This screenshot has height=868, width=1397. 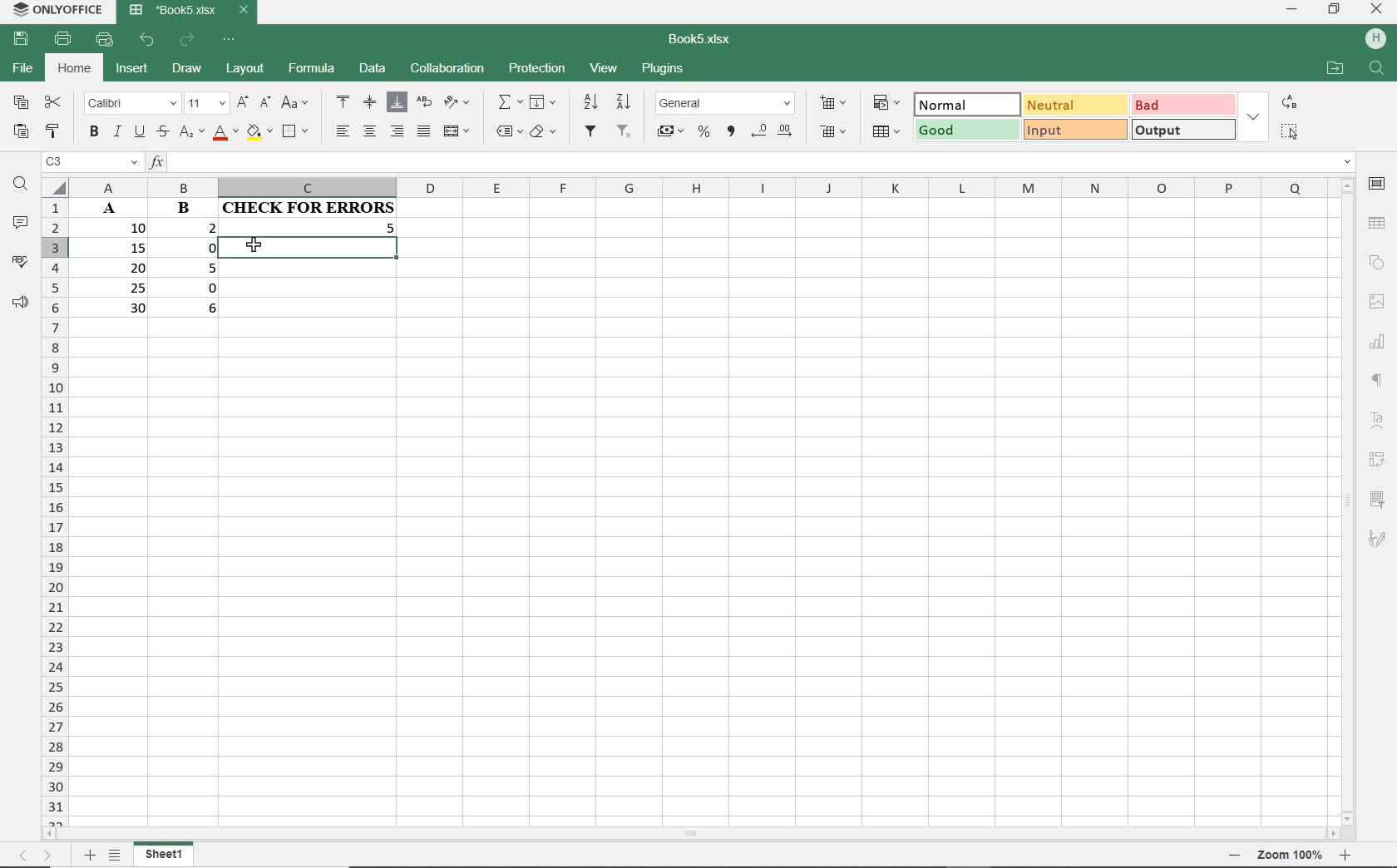 What do you see at coordinates (1350, 501) in the screenshot?
I see `SCROLLBAR` at bounding box center [1350, 501].